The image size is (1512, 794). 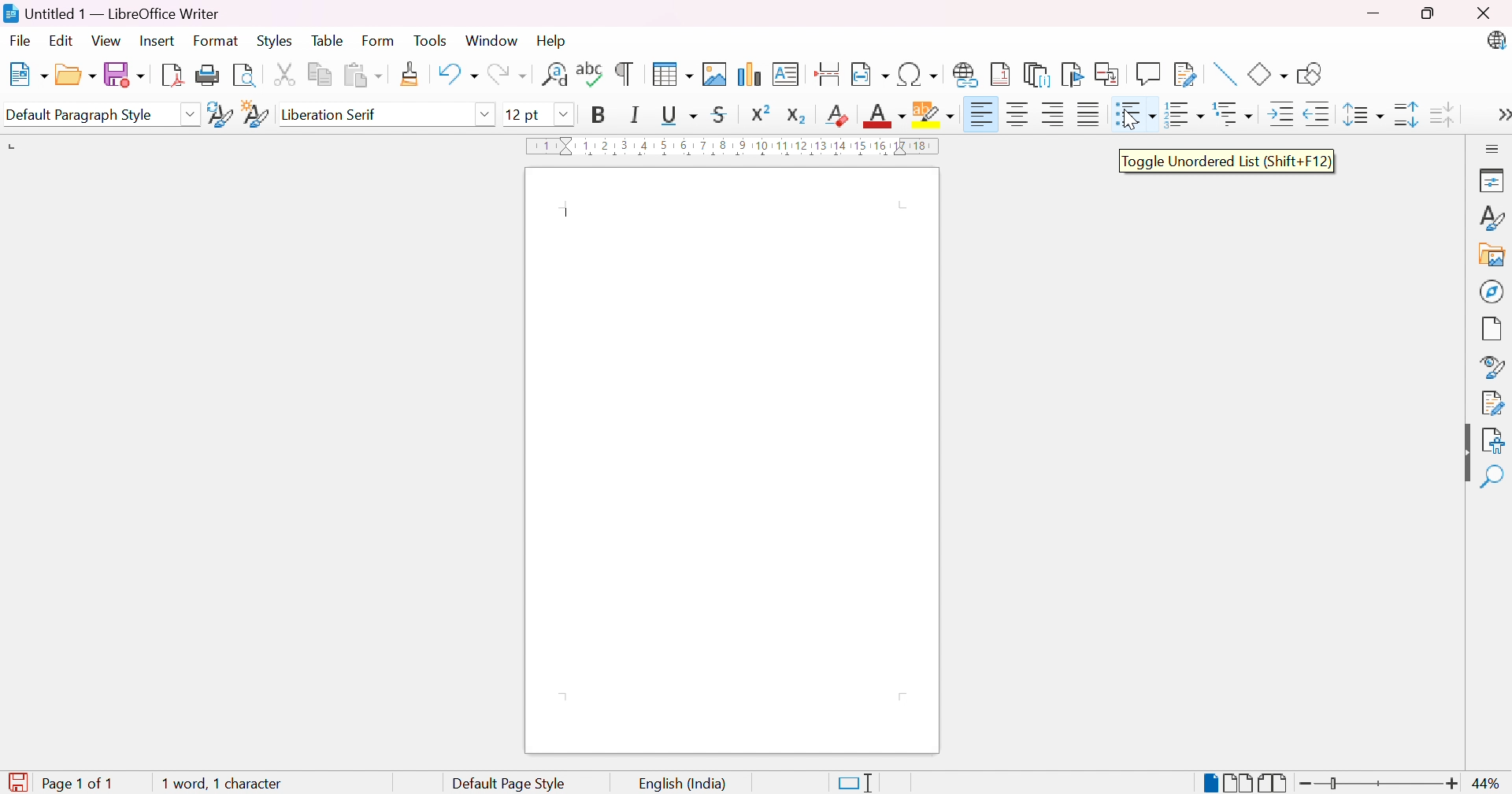 I want to click on Zoom in, so click(x=1451, y=785).